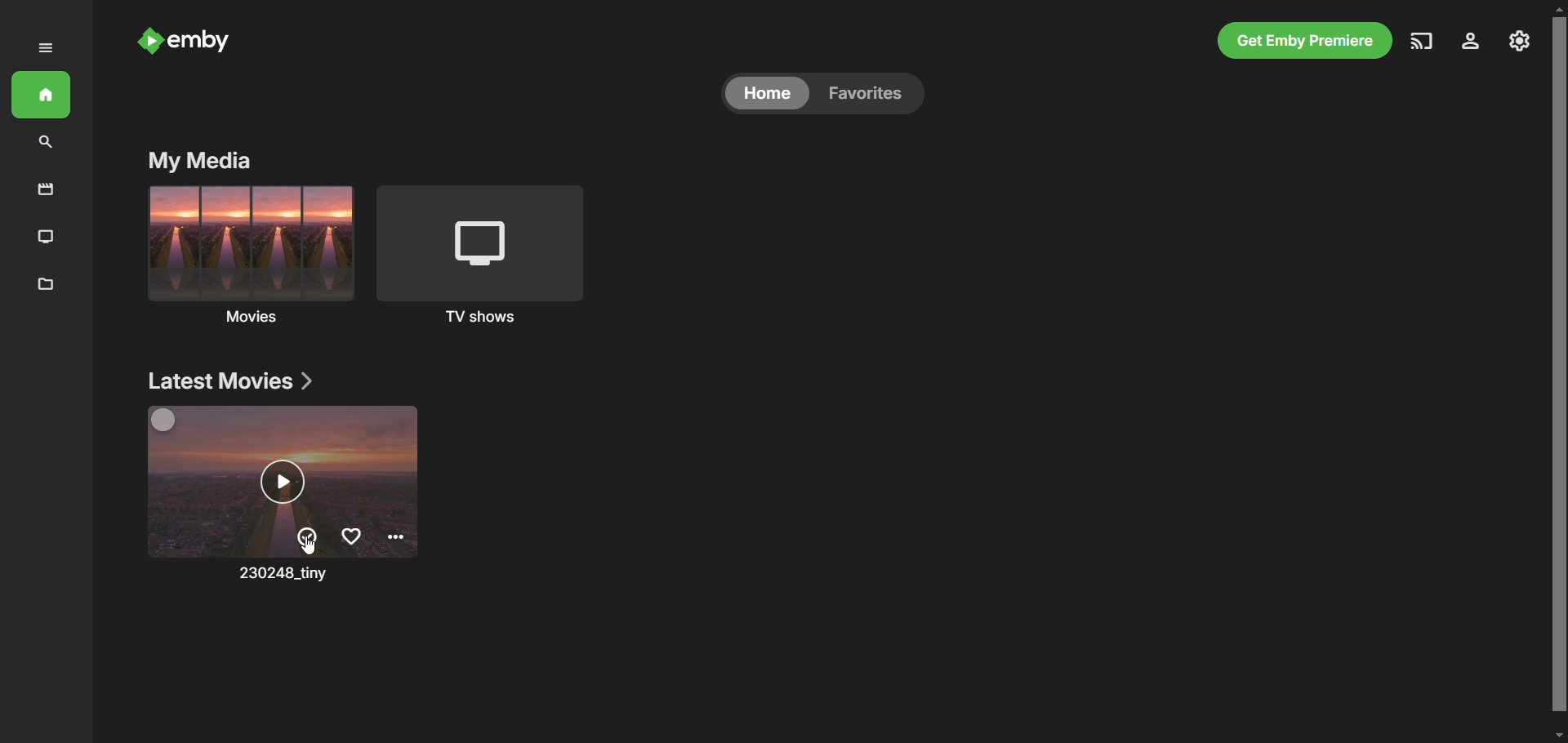 Image resolution: width=1568 pixels, height=743 pixels. Describe the element at coordinates (315, 545) in the screenshot. I see `cursor` at that location.